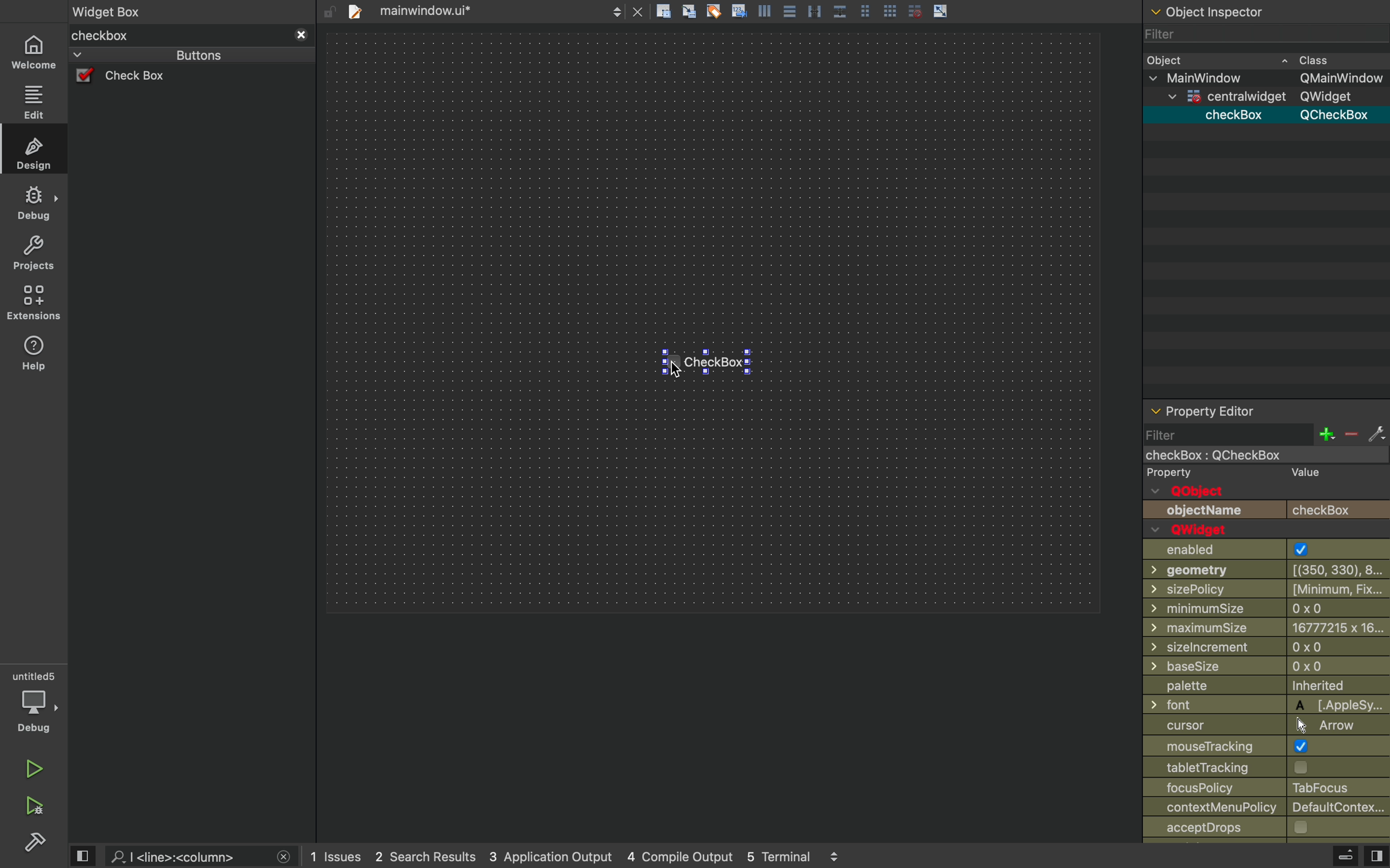  I want to click on widget, so click(1260, 96).